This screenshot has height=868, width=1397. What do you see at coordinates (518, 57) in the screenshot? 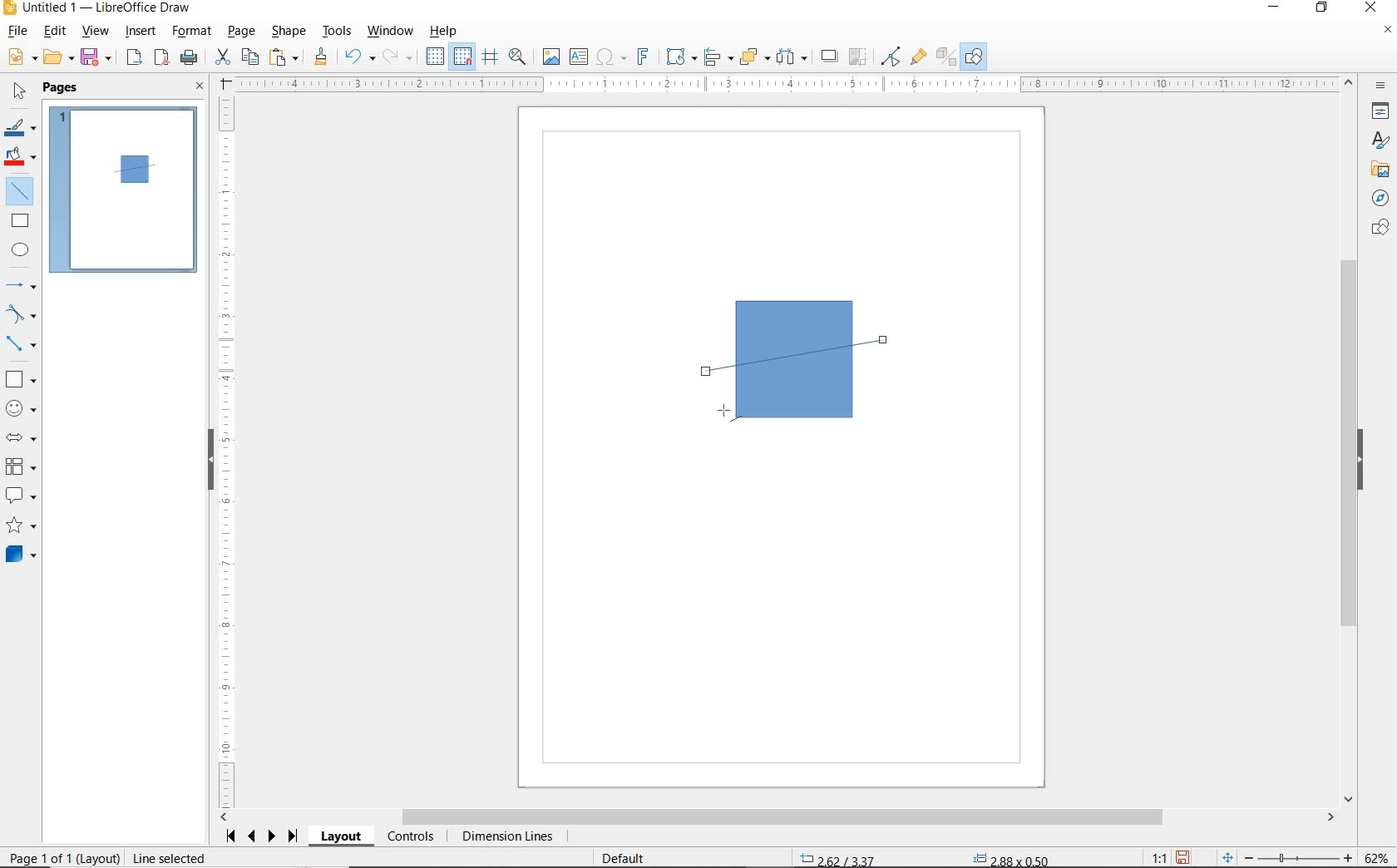
I see `ZOOM & PAN` at bounding box center [518, 57].